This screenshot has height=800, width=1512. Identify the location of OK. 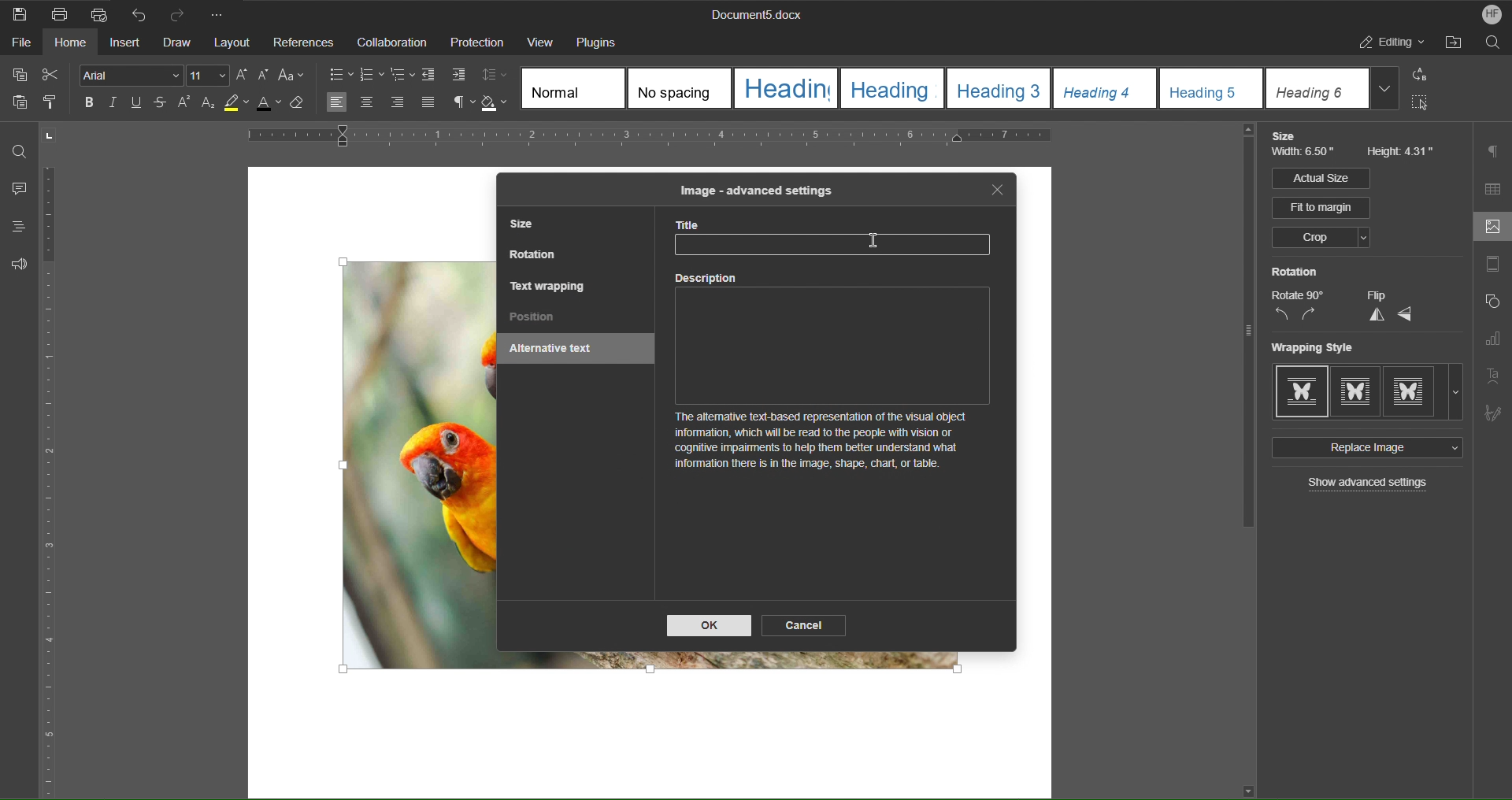
(710, 626).